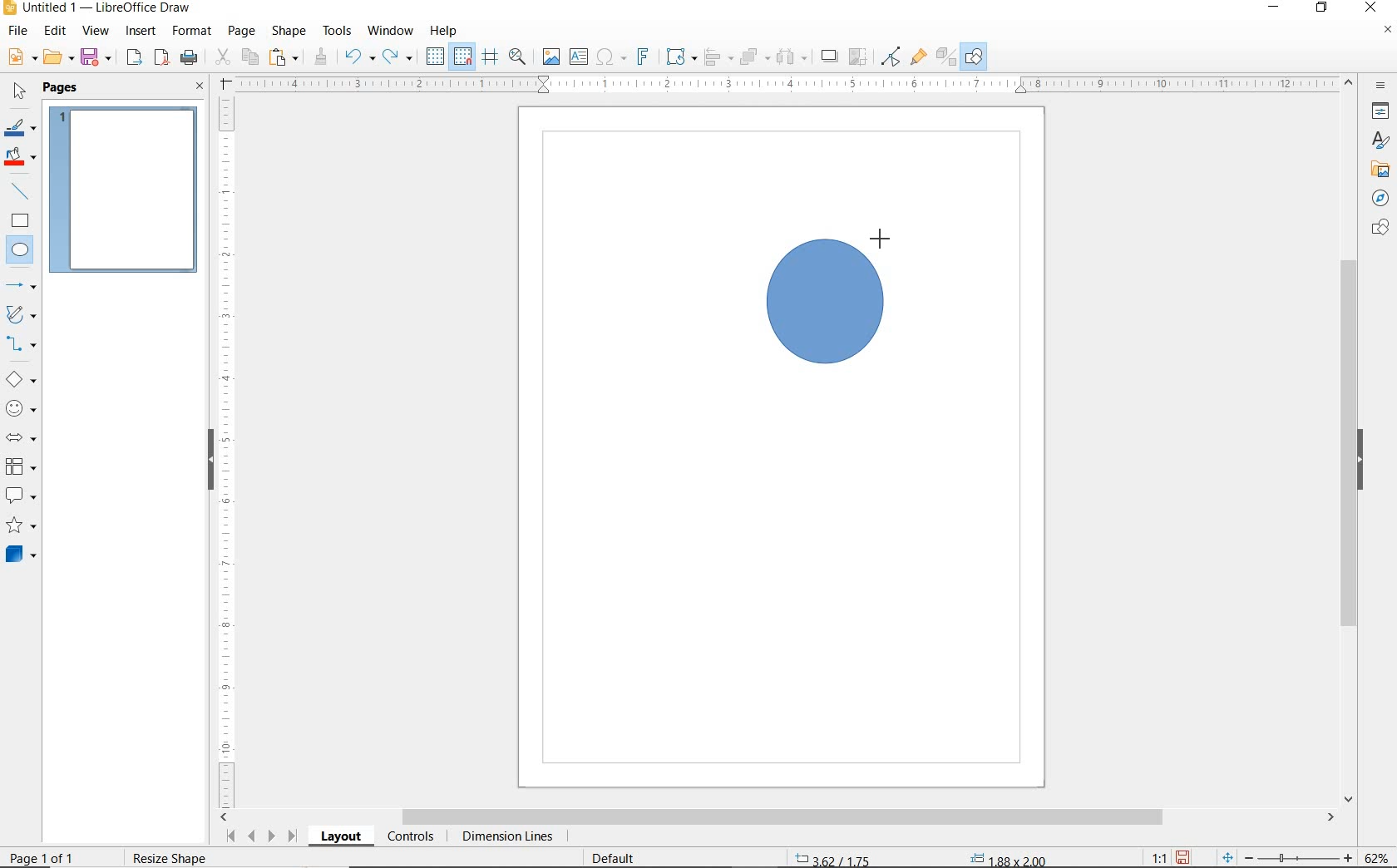  Describe the element at coordinates (778, 818) in the screenshot. I see `SCROLLBAR` at that location.